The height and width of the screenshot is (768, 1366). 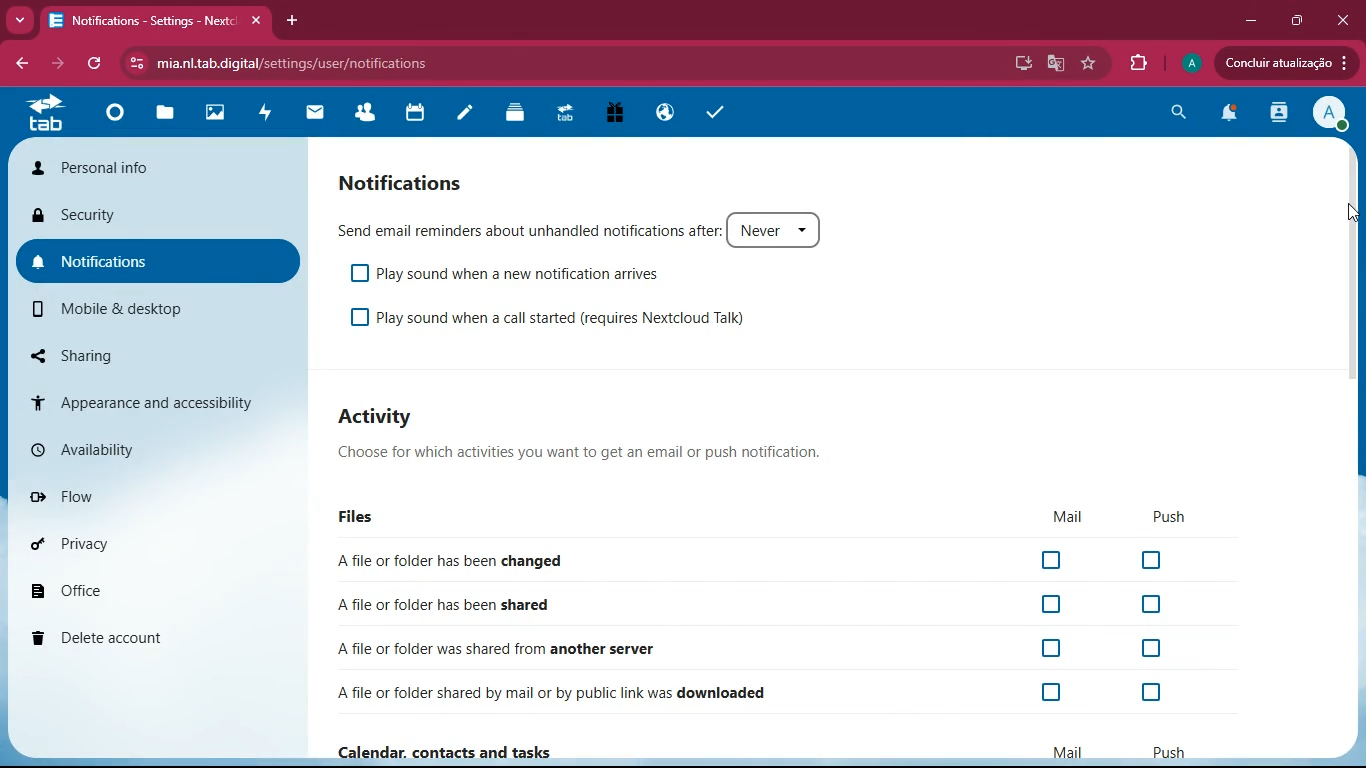 I want to click on send email reminders about unhandled notifications after:, so click(x=587, y=225).